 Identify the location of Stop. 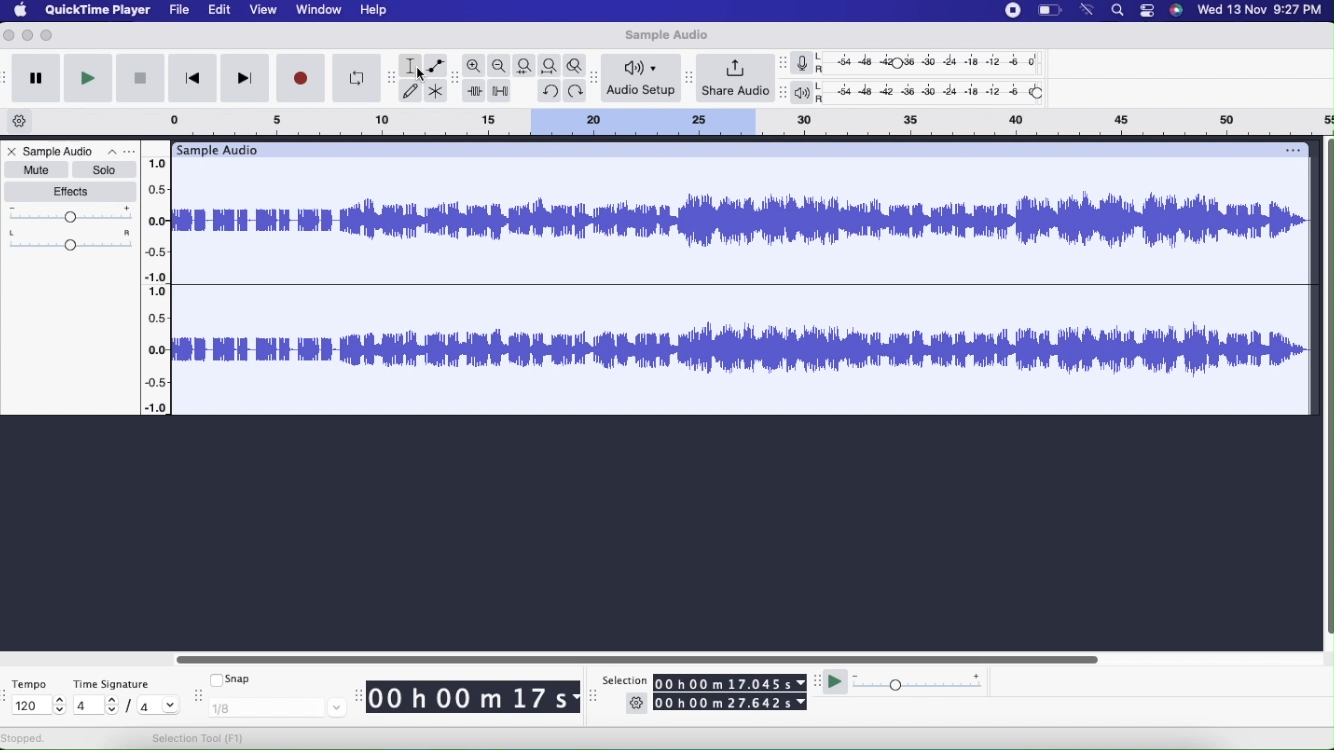
(140, 80).